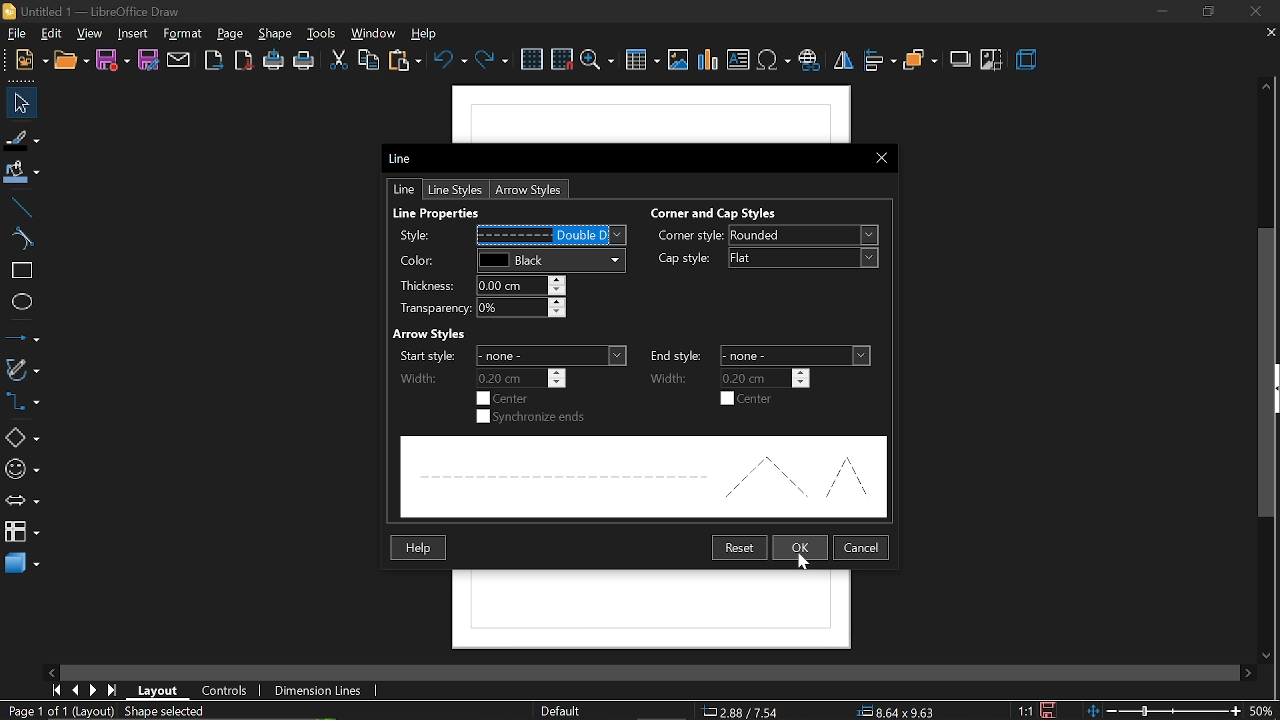  What do you see at coordinates (424, 32) in the screenshot?
I see `help` at bounding box center [424, 32].